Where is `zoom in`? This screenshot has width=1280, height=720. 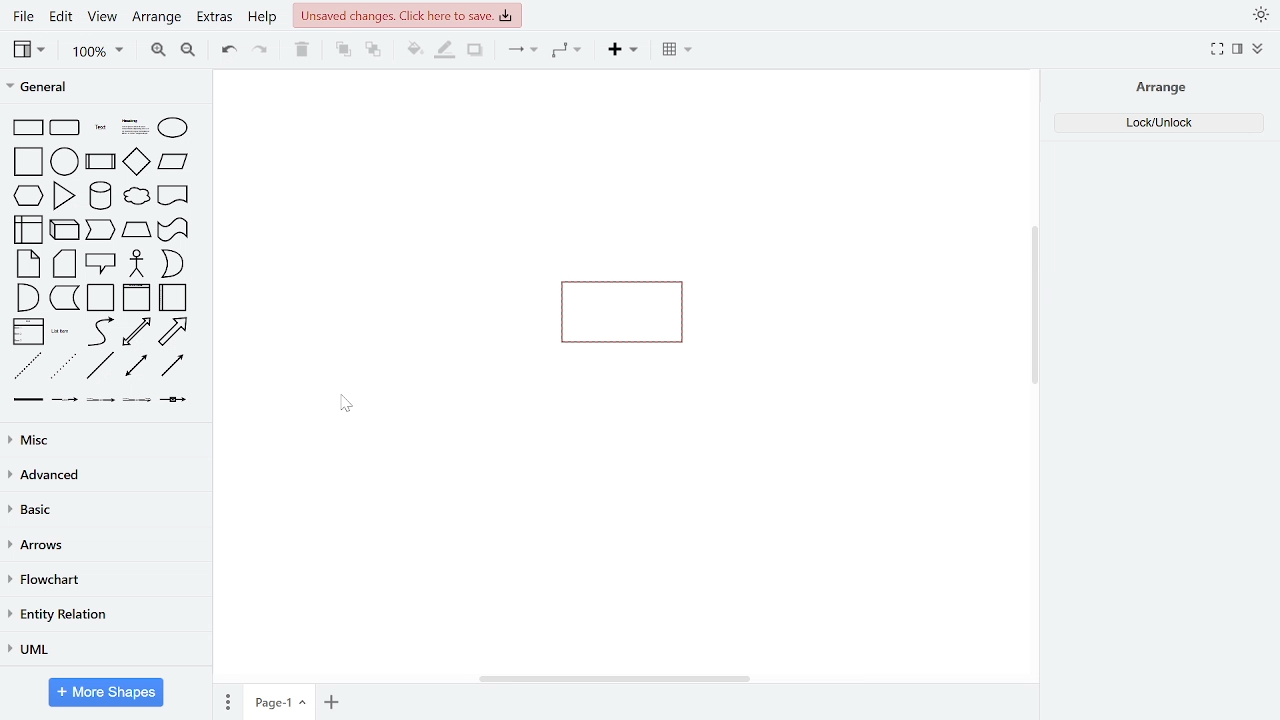
zoom in is located at coordinates (154, 50).